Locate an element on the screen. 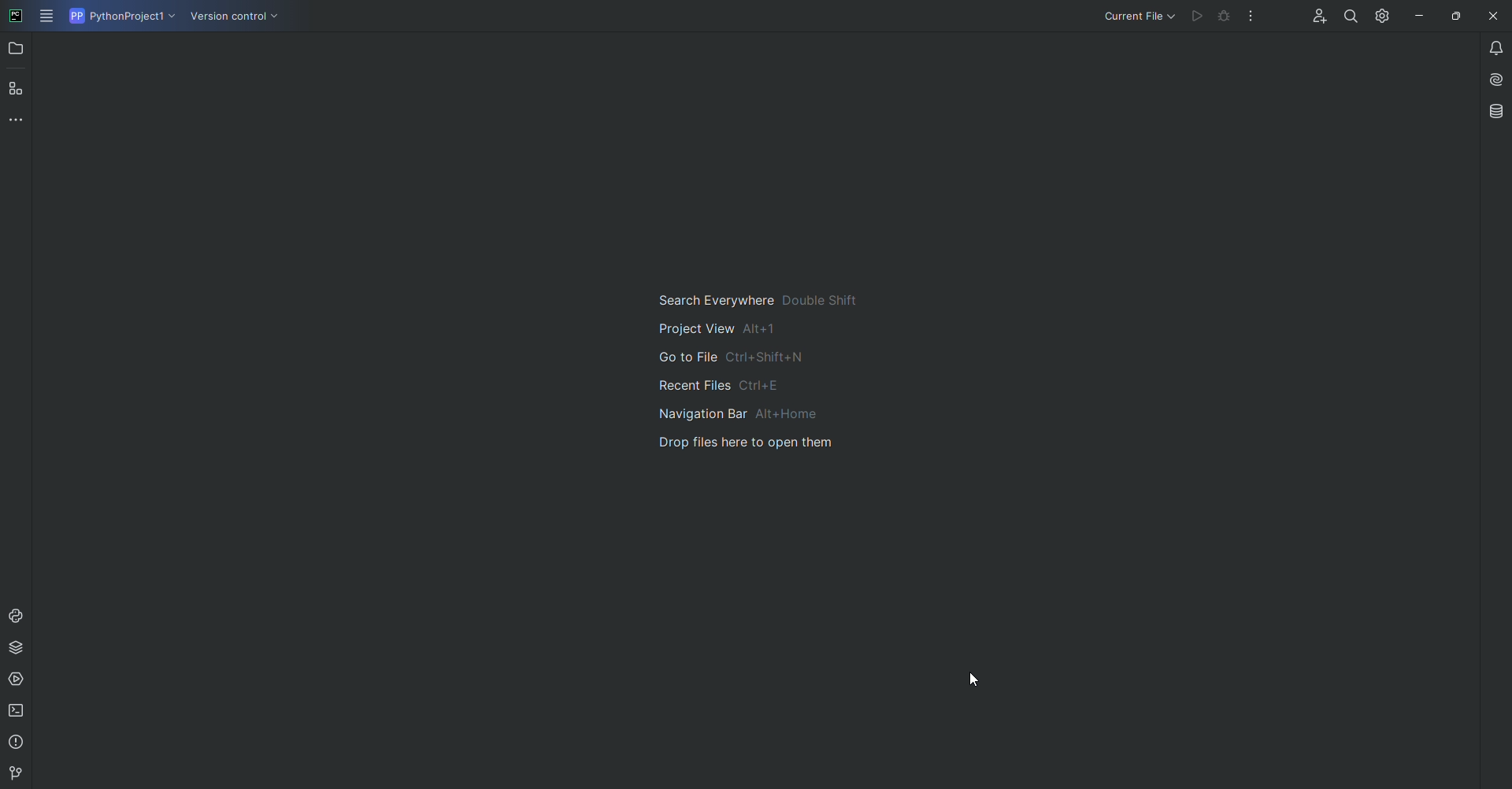 The height and width of the screenshot is (789, 1512). Console is located at coordinates (17, 616).